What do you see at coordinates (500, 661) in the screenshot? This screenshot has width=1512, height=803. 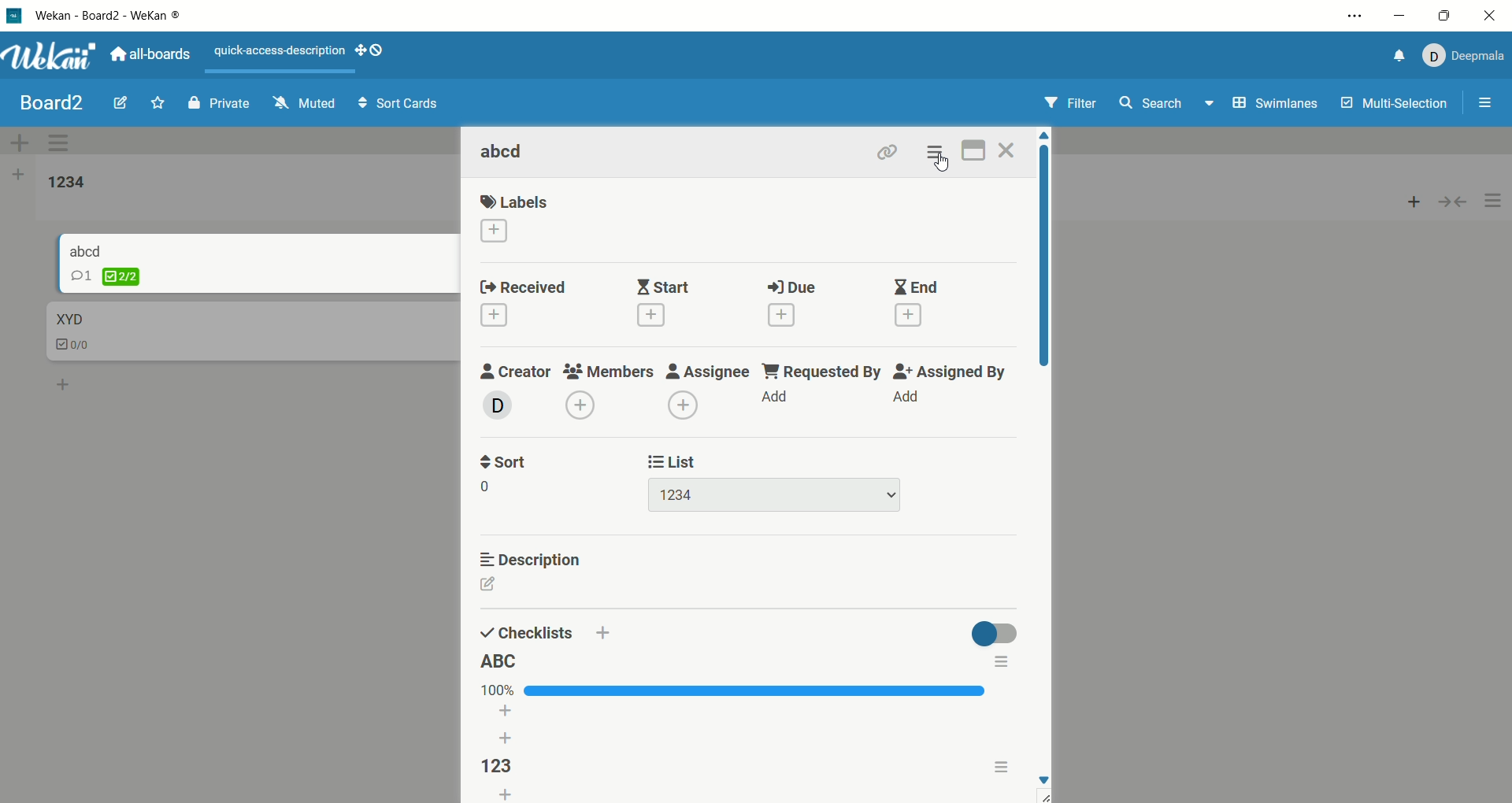 I see `list title` at bounding box center [500, 661].